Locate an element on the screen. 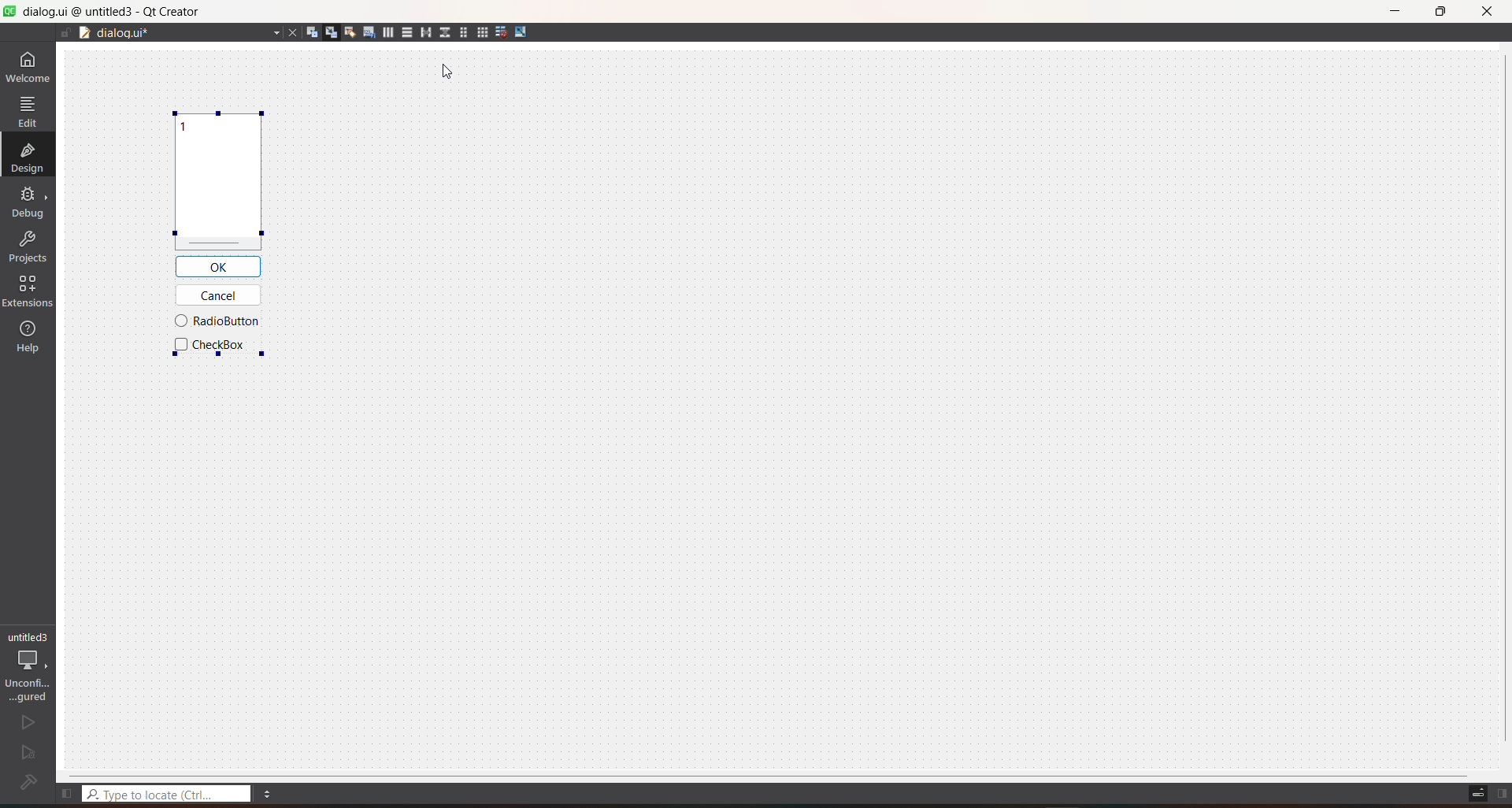 The height and width of the screenshot is (808, 1512). layout vertically is located at coordinates (405, 32).